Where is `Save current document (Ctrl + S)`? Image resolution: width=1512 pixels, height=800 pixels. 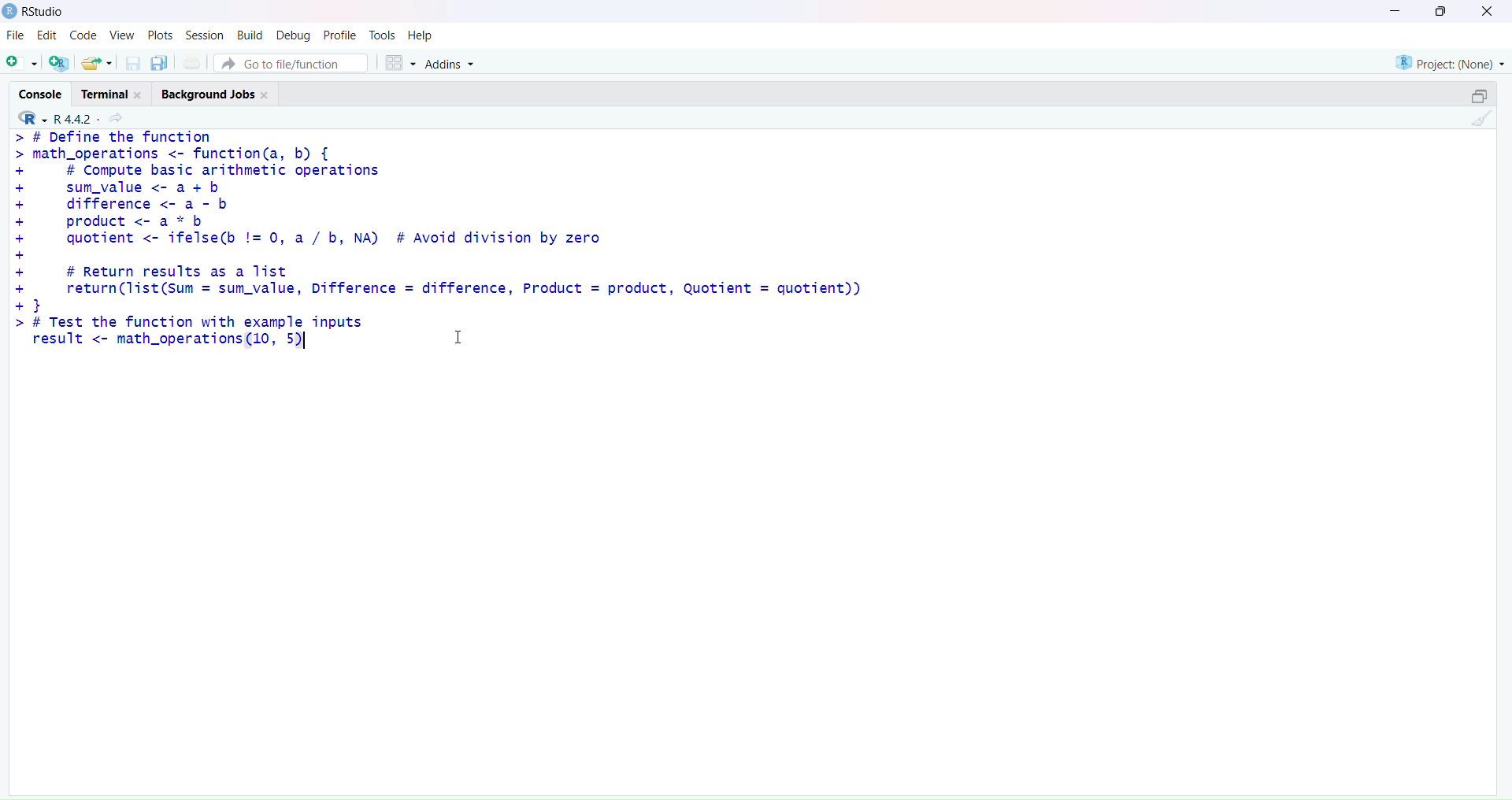
Save current document (Ctrl + S) is located at coordinates (133, 61).